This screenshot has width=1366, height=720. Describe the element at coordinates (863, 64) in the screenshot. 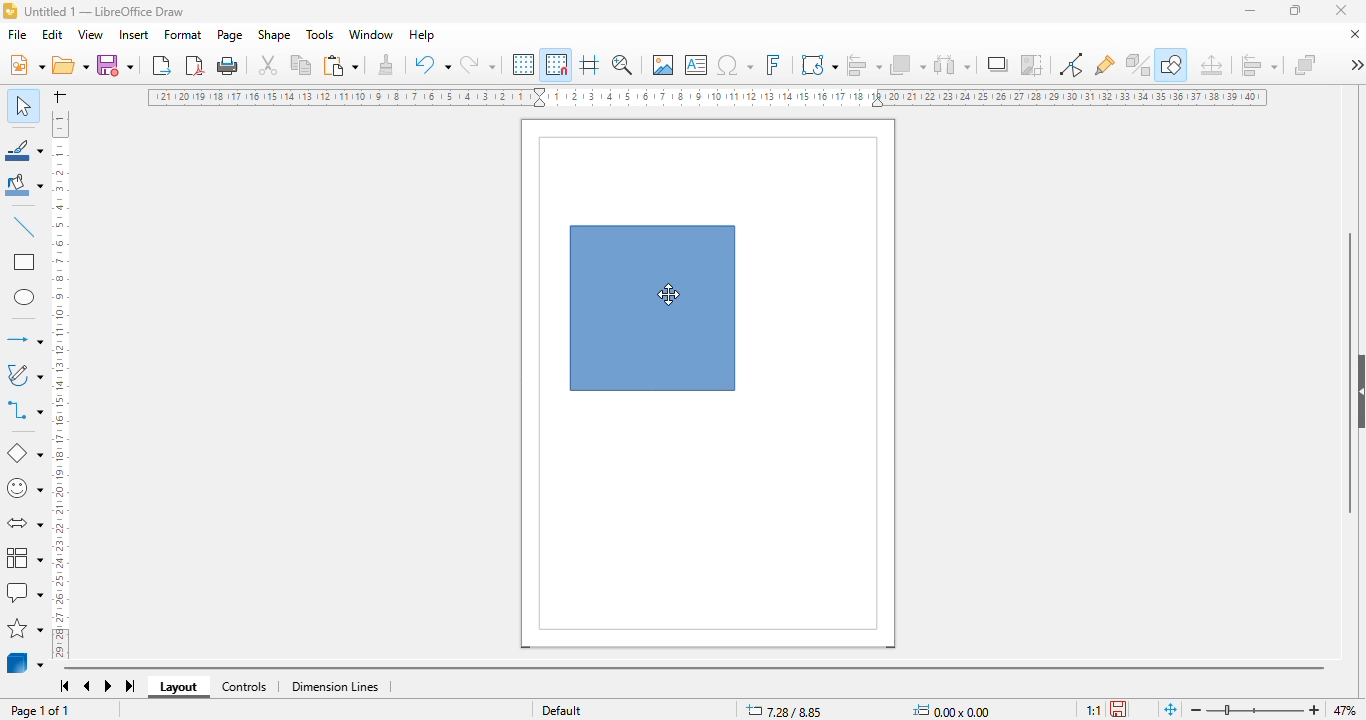

I see `align objects` at that location.